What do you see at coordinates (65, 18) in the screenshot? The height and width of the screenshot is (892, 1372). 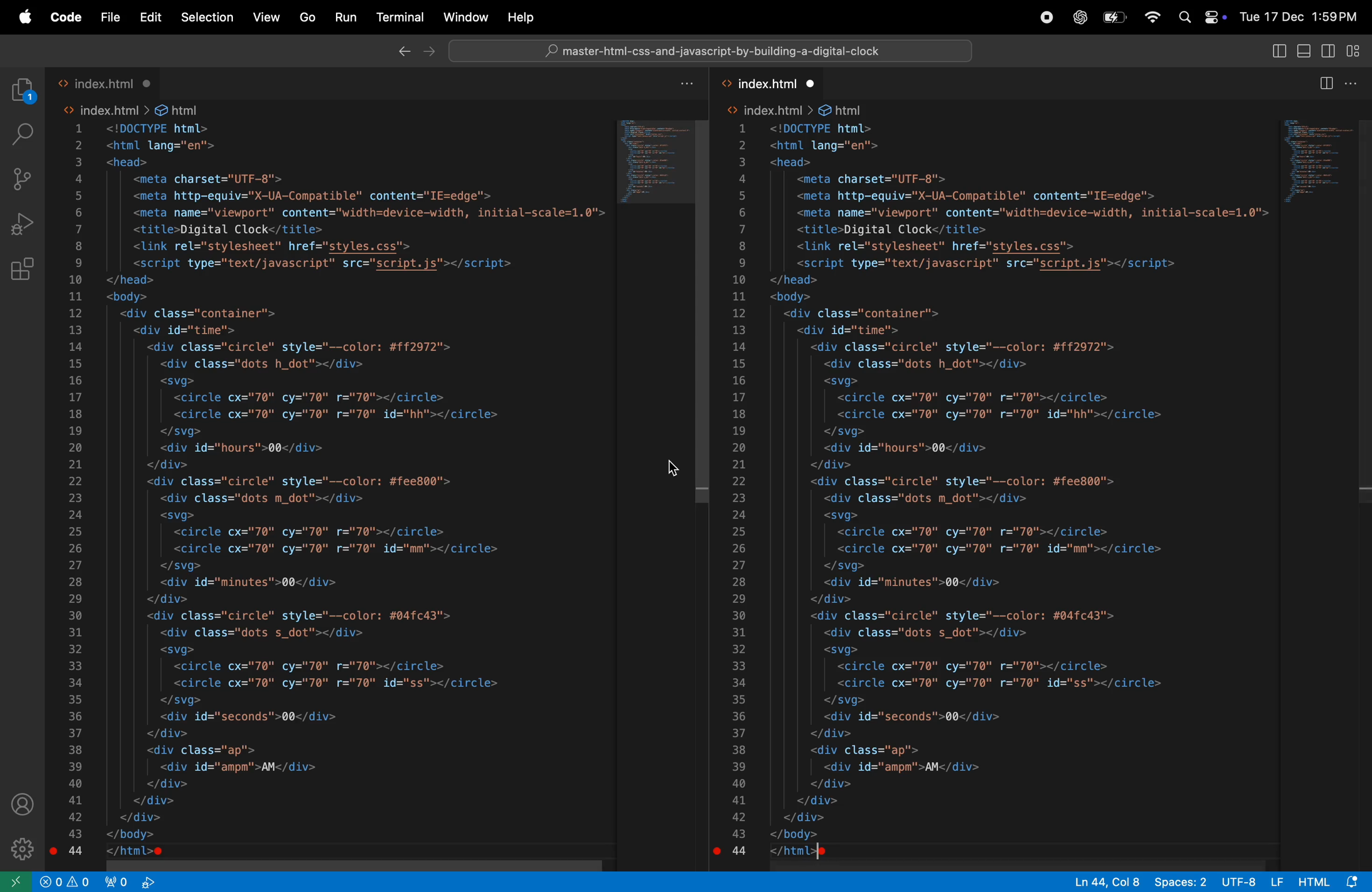 I see `code` at bounding box center [65, 18].